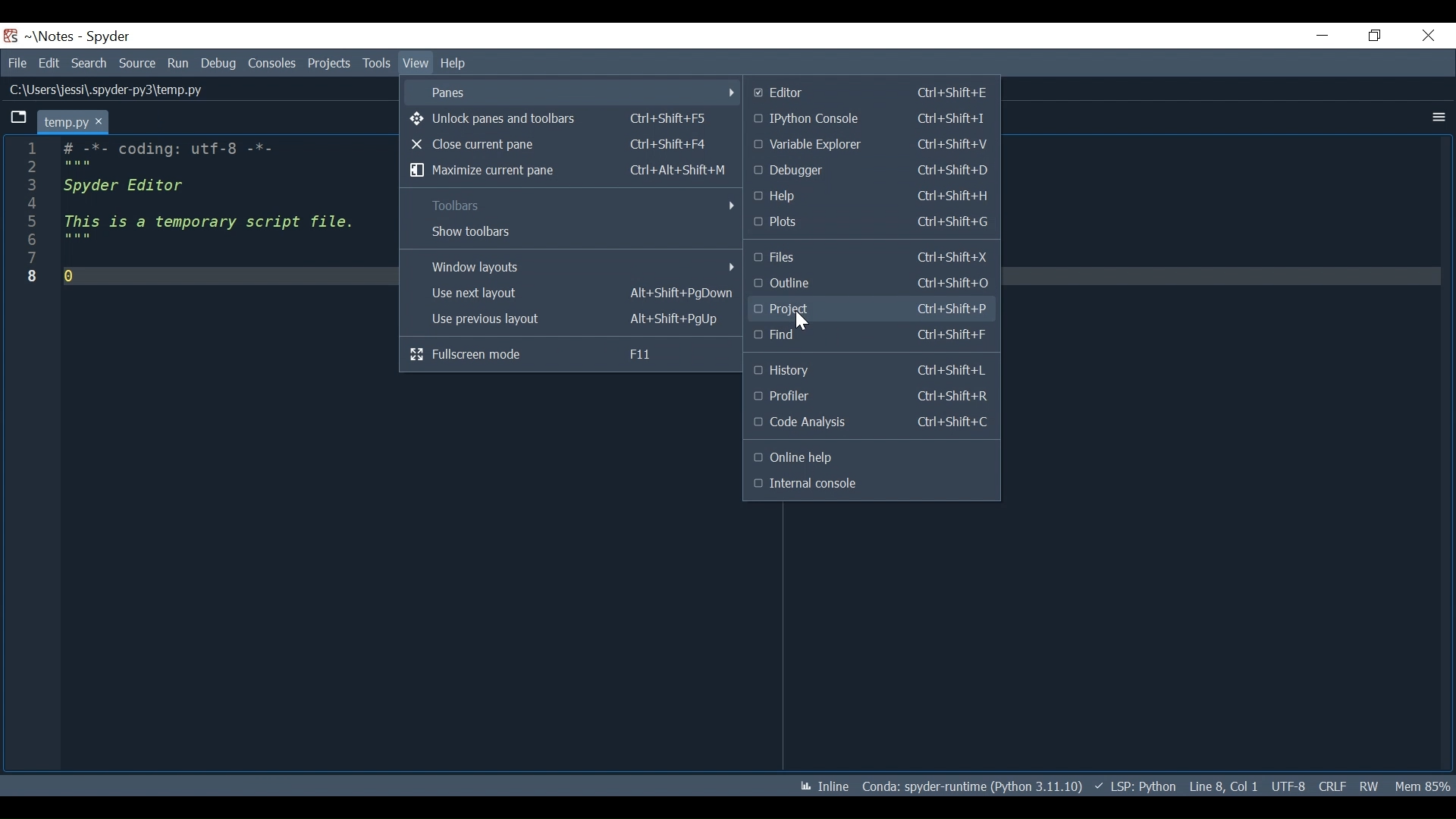 The width and height of the screenshot is (1456, 819). What do you see at coordinates (200, 213) in the screenshot?
I see `# -*- coding: utf-8 -*-

Spyder Editor

This is a temporary script file.
0` at bounding box center [200, 213].